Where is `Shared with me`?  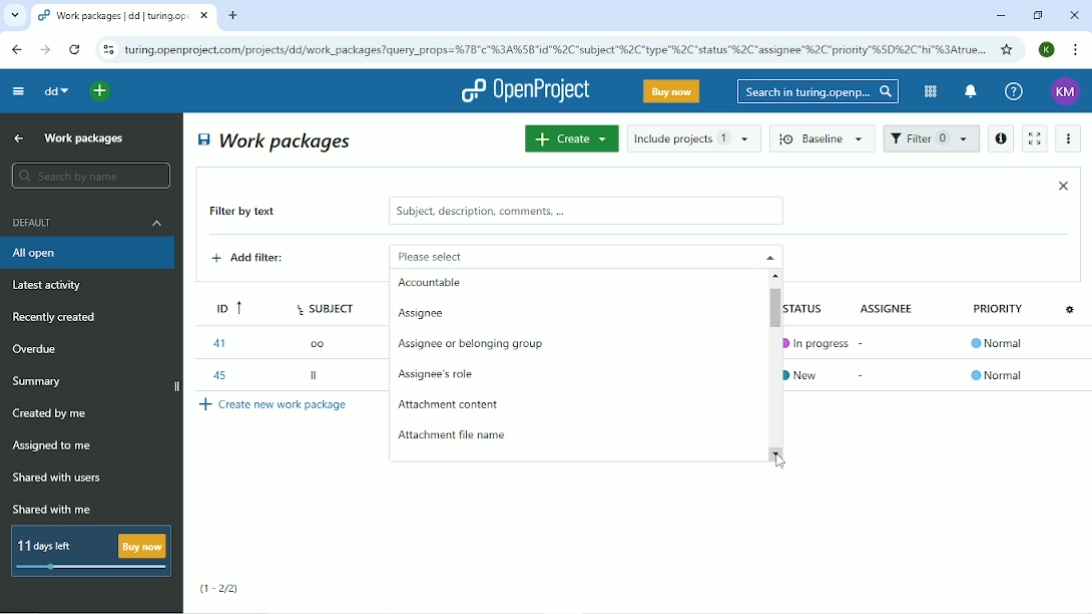
Shared with me is located at coordinates (54, 509).